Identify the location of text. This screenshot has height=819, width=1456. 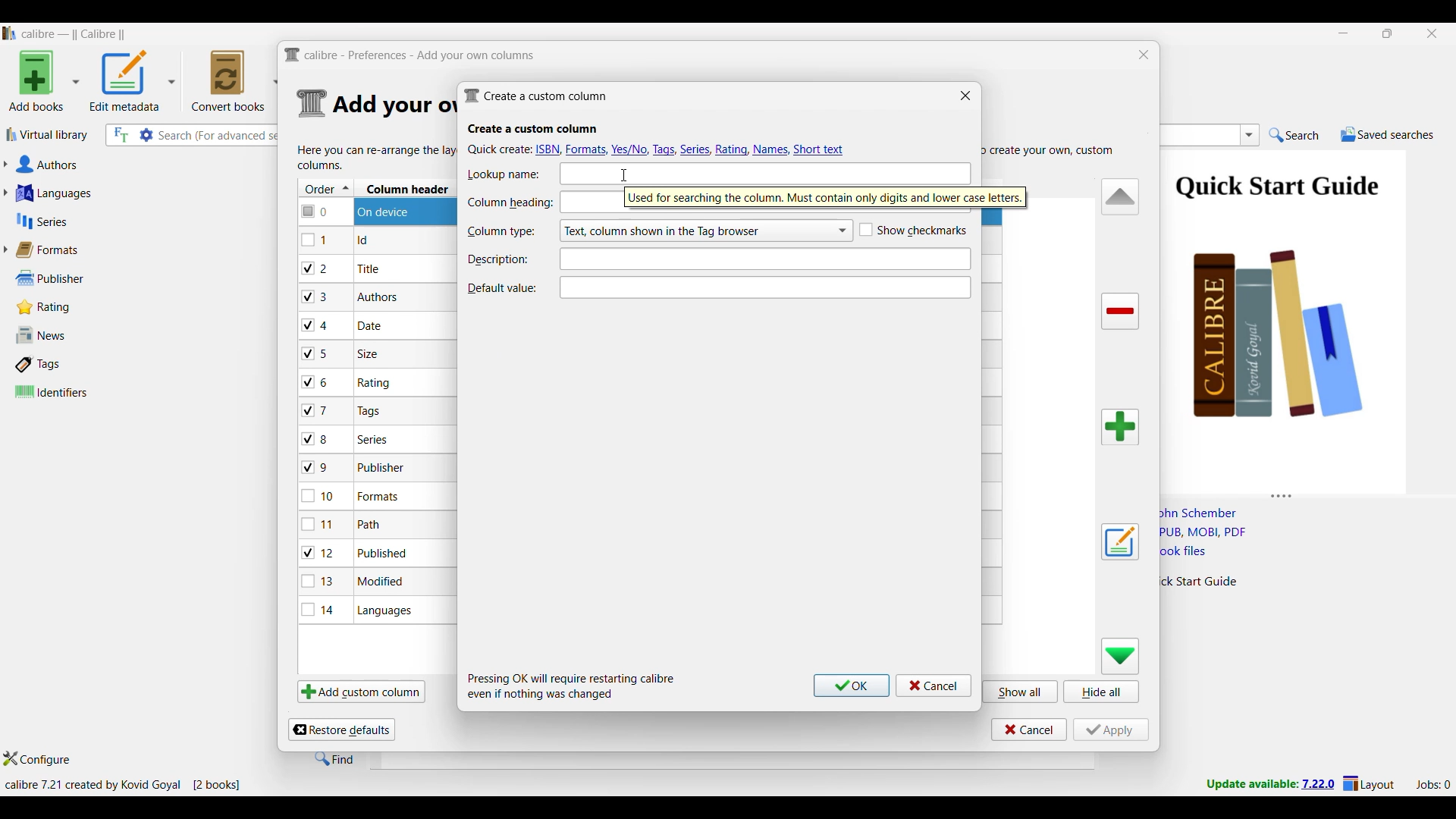
(594, 203).